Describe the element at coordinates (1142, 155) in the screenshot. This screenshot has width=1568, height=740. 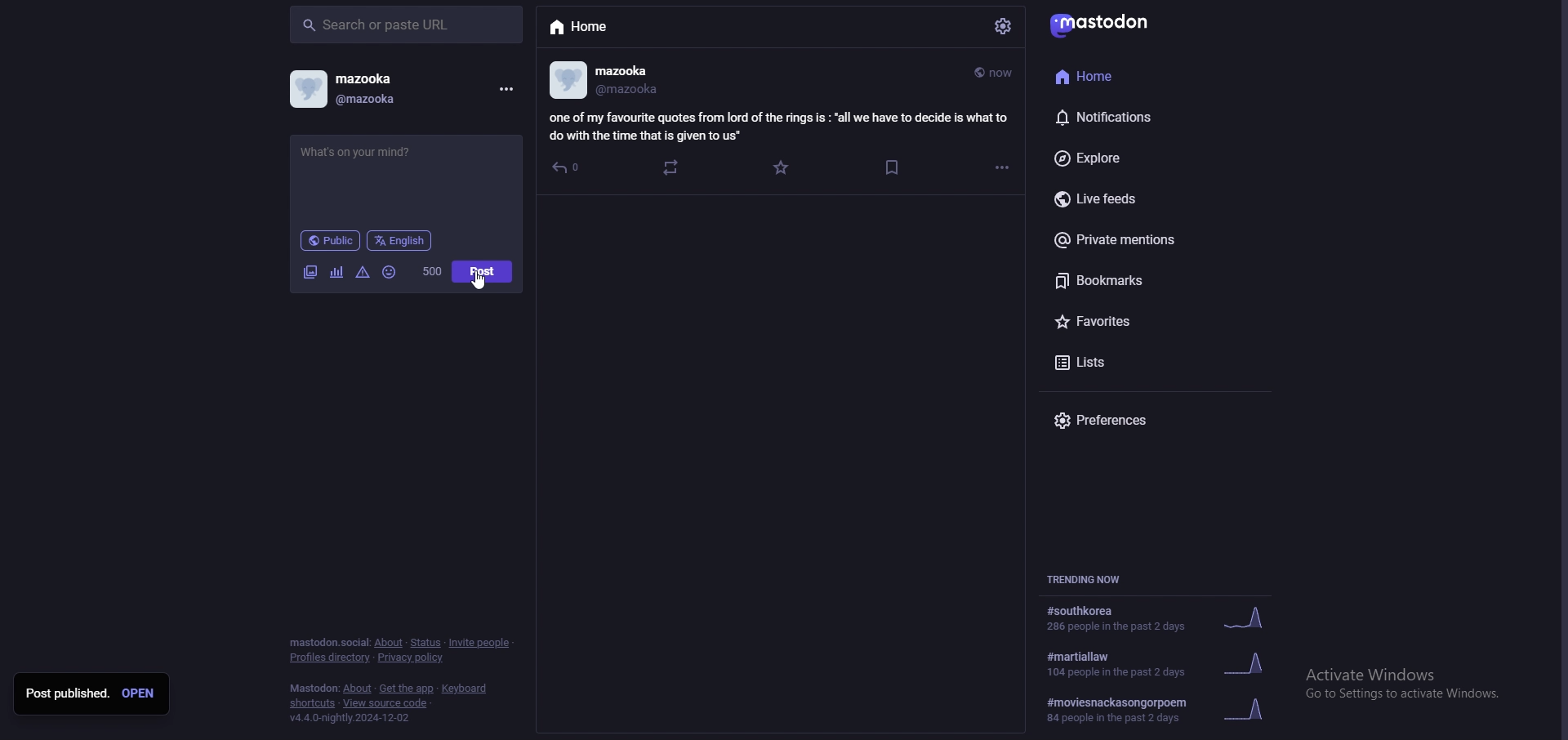
I see `explore` at that location.